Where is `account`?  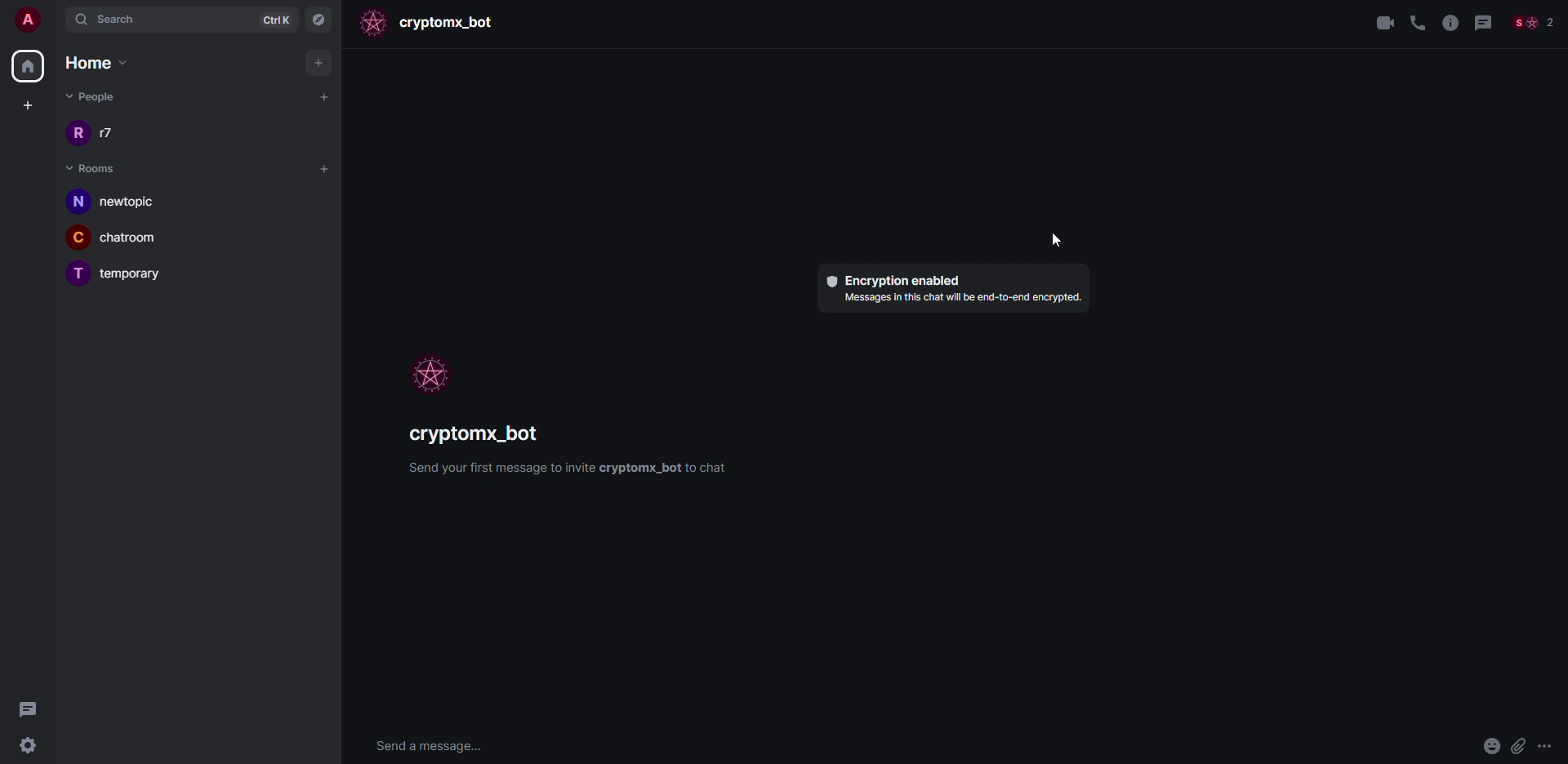
account is located at coordinates (29, 20).